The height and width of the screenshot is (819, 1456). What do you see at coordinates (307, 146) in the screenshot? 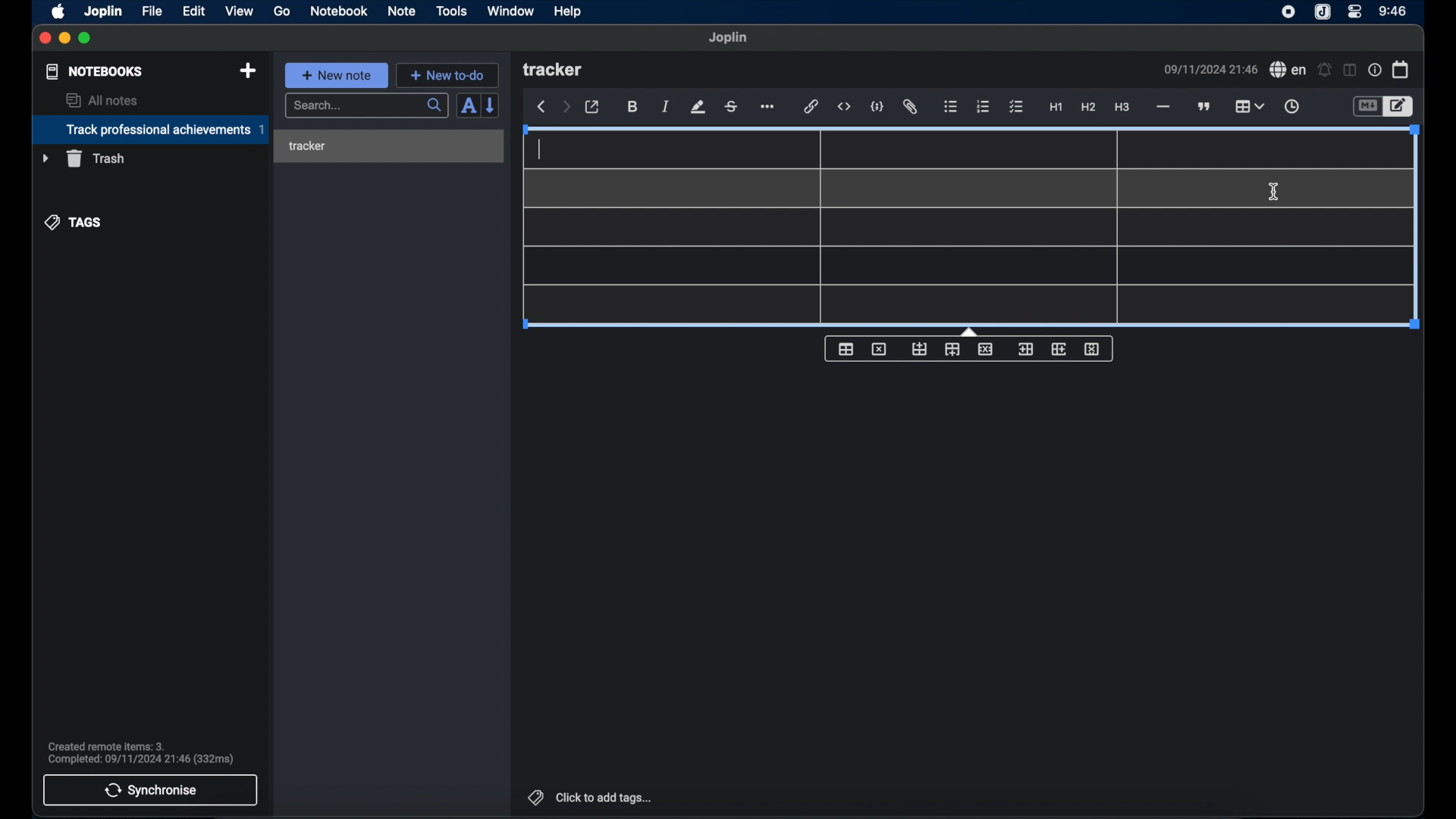
I see `tracker` at bounding box center [307, 146].